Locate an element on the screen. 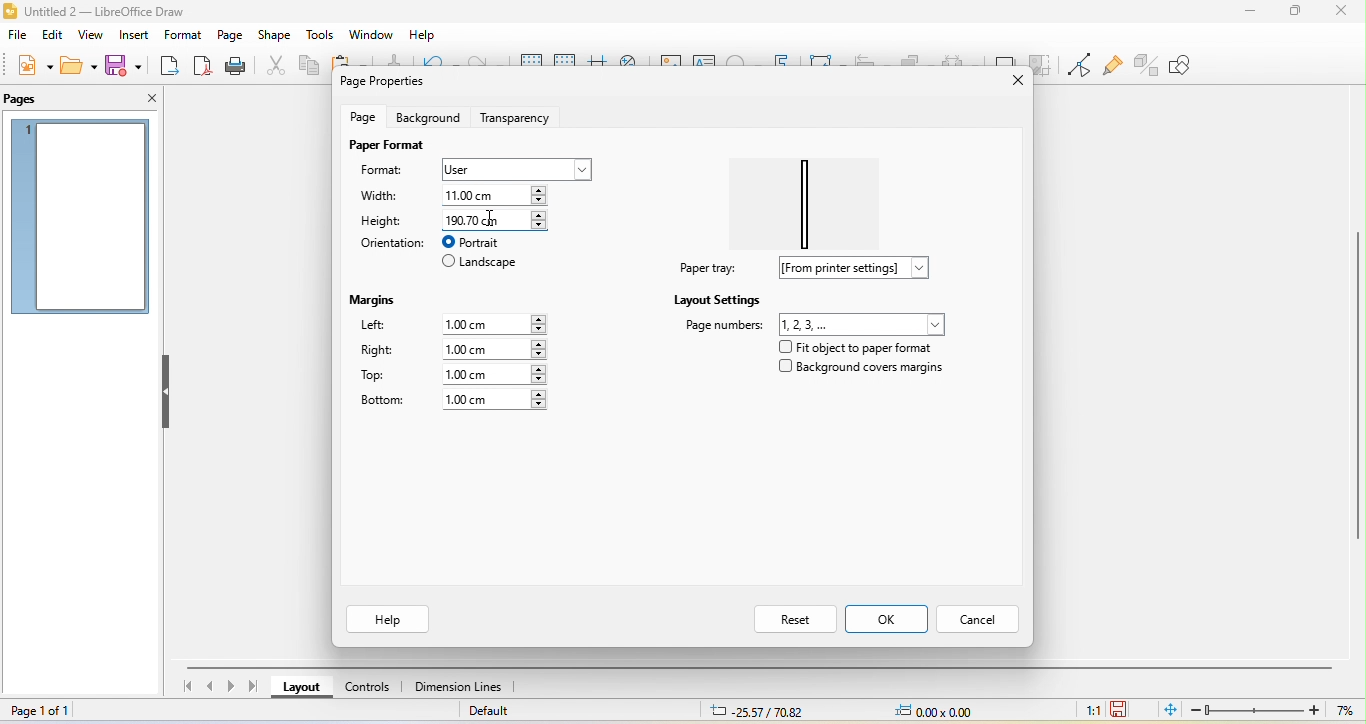  reset is located at coordinates (793, 618).